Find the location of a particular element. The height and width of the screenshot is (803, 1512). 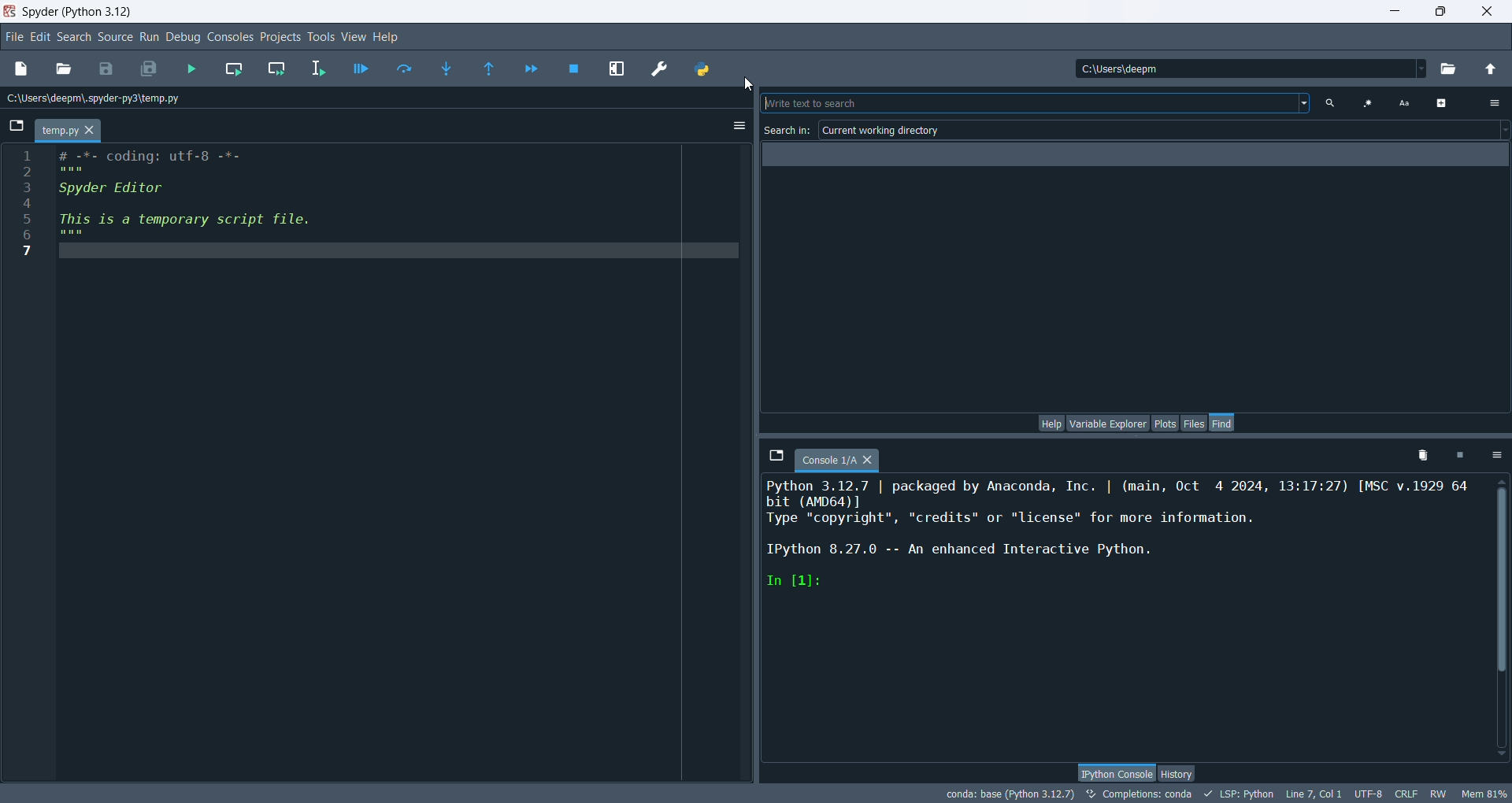

plots is located at coordinates (1164, 424).